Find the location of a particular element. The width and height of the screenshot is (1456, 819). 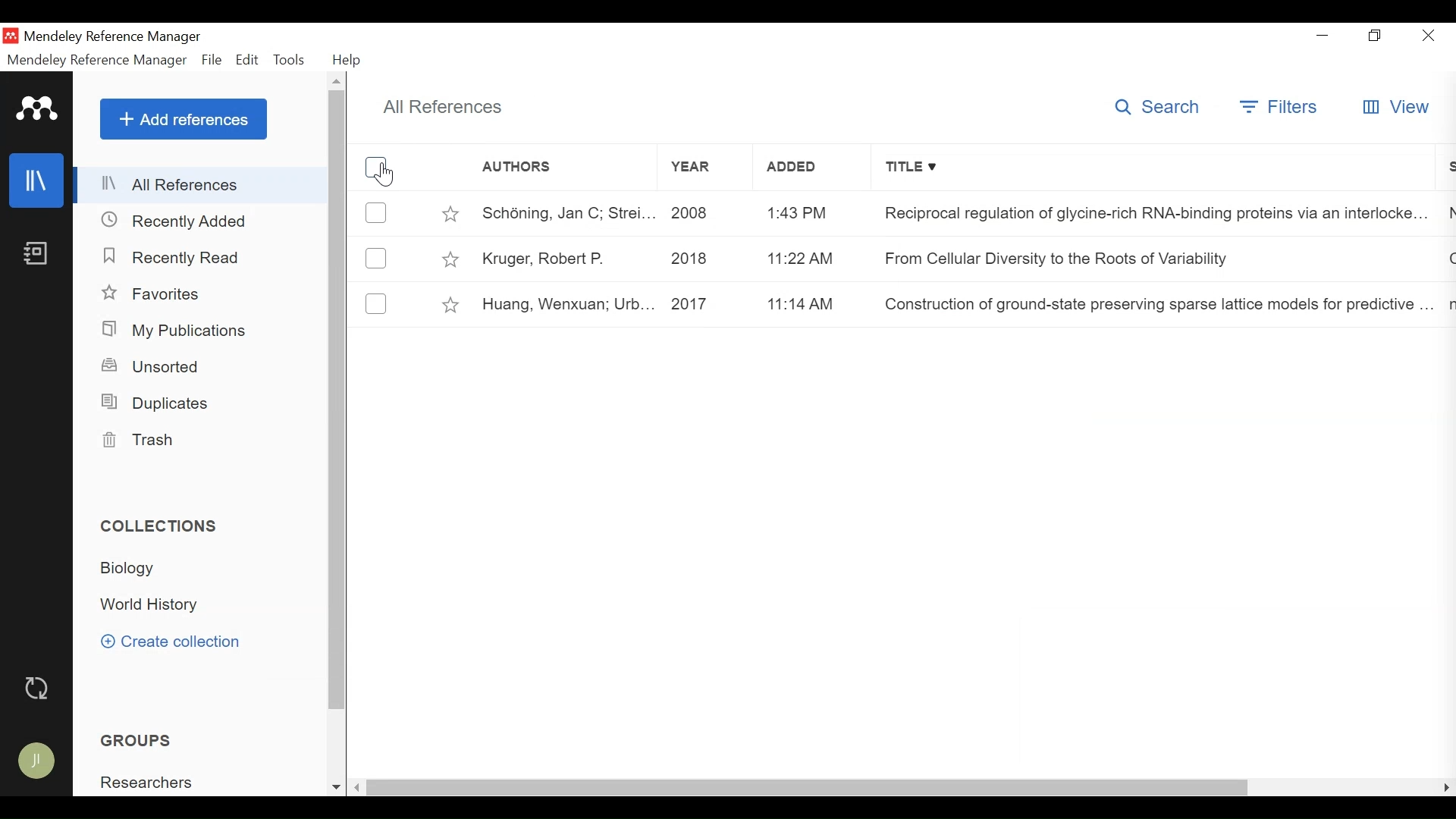

Search is located at coordinates (1161, 109).